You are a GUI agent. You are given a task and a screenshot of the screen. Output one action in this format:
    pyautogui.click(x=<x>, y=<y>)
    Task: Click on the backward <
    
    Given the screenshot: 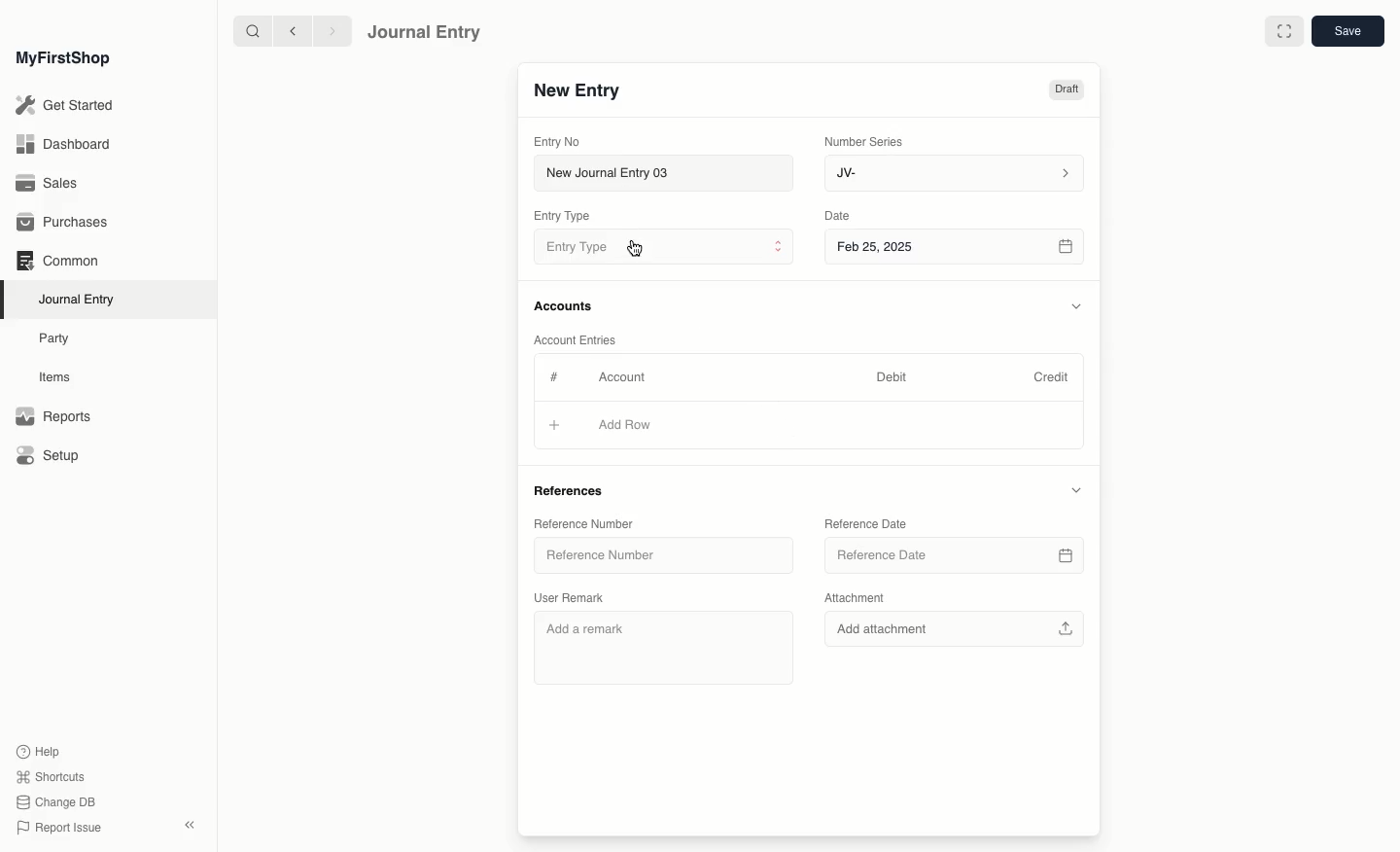 What is the action you would take?
    pyautogui.click(x=288, y=31)
    